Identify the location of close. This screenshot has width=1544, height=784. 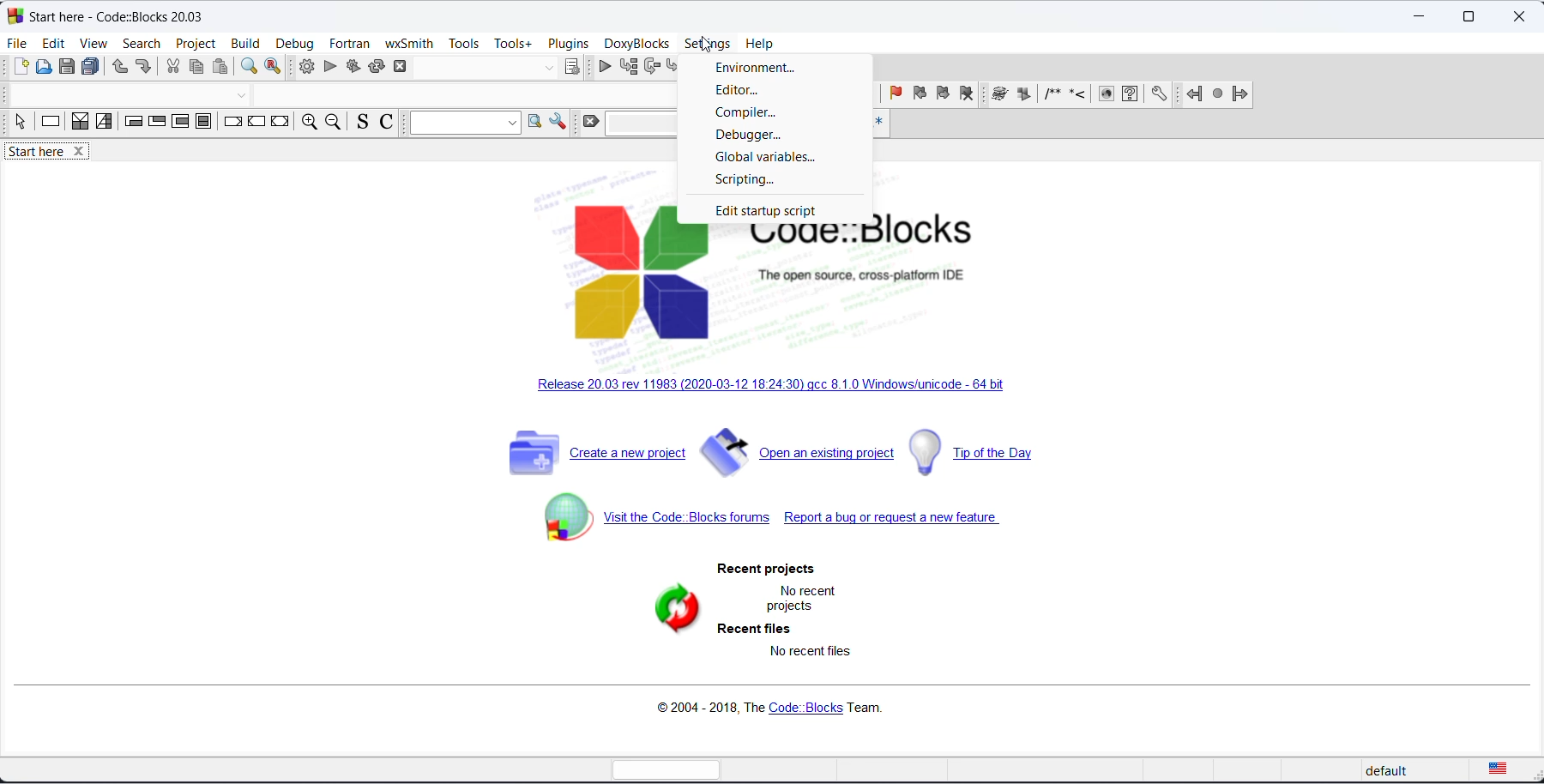
(80, 152).